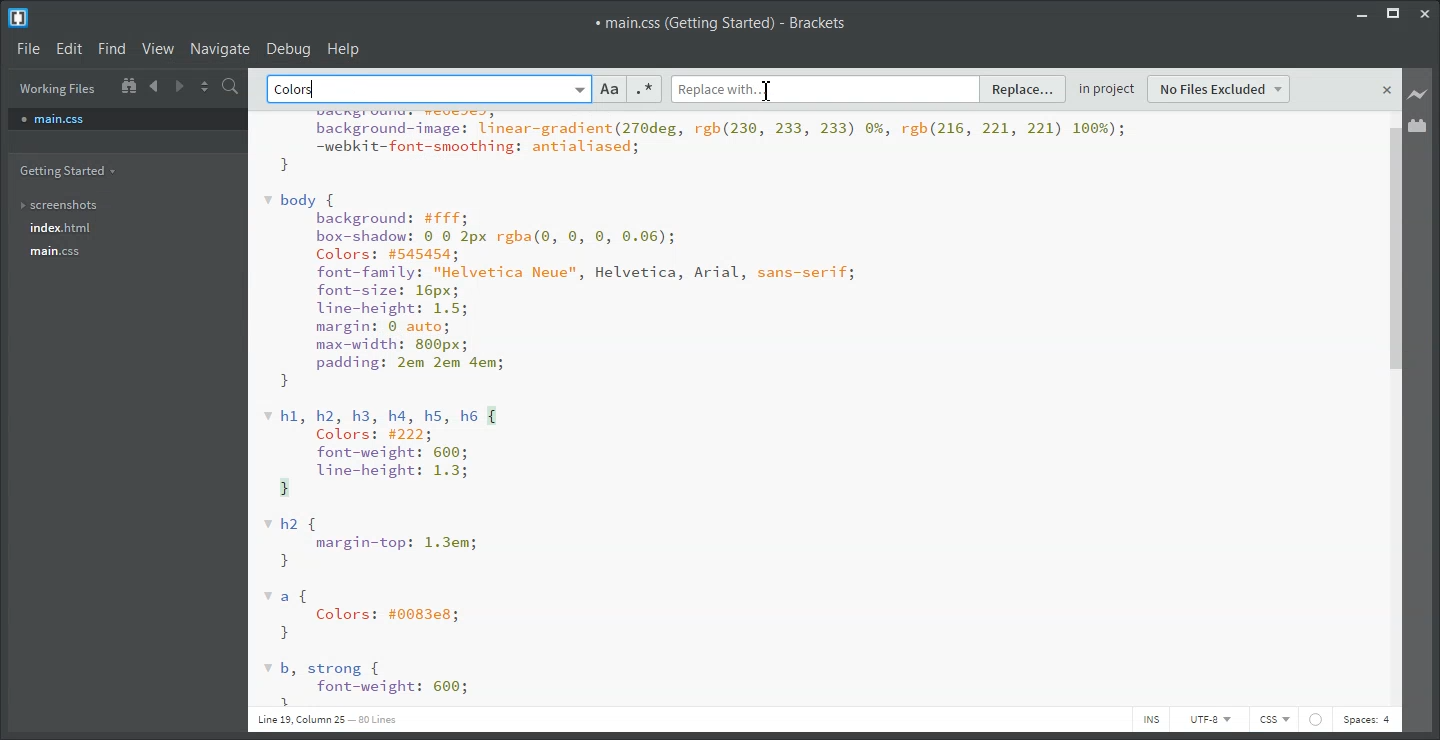  Describe the element at coordinates (72, 171) in the screenshot. I see `Getting Started` at that location.